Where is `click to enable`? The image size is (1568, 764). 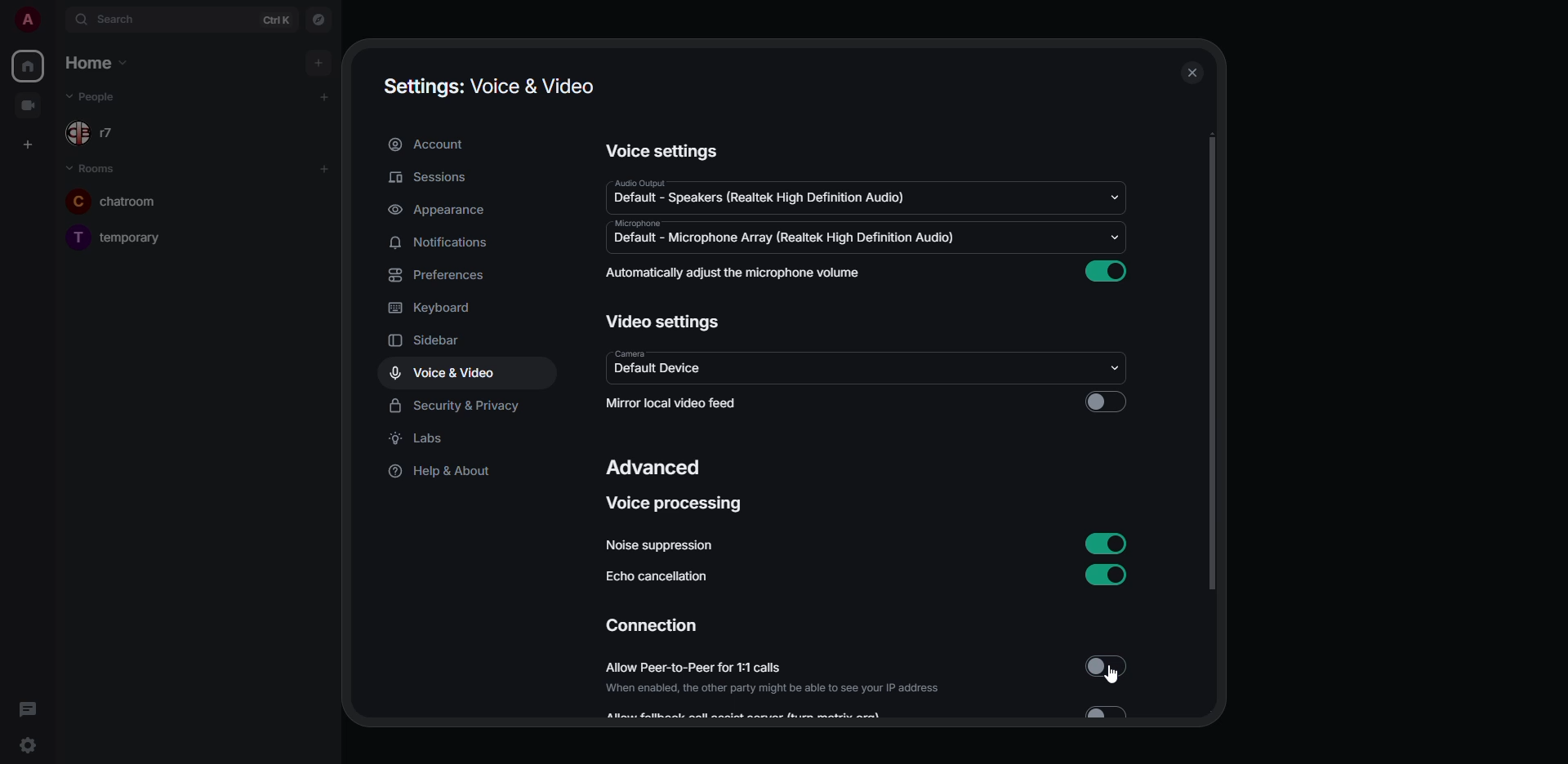
click to enable is located at coordinates (1105, 401).